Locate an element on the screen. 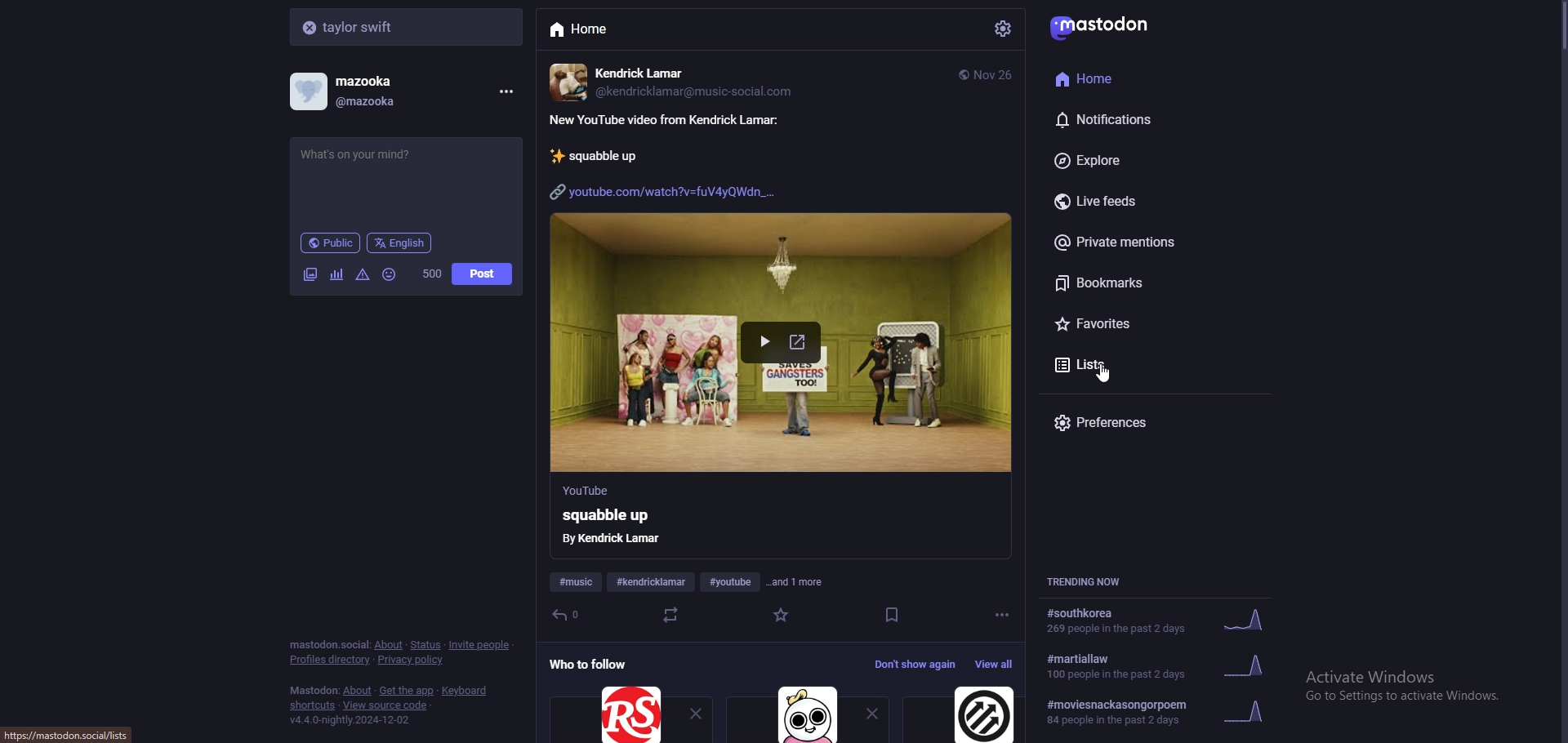 This screenshot has width=1568, height=743. feed is located at coordinates (777, 399).